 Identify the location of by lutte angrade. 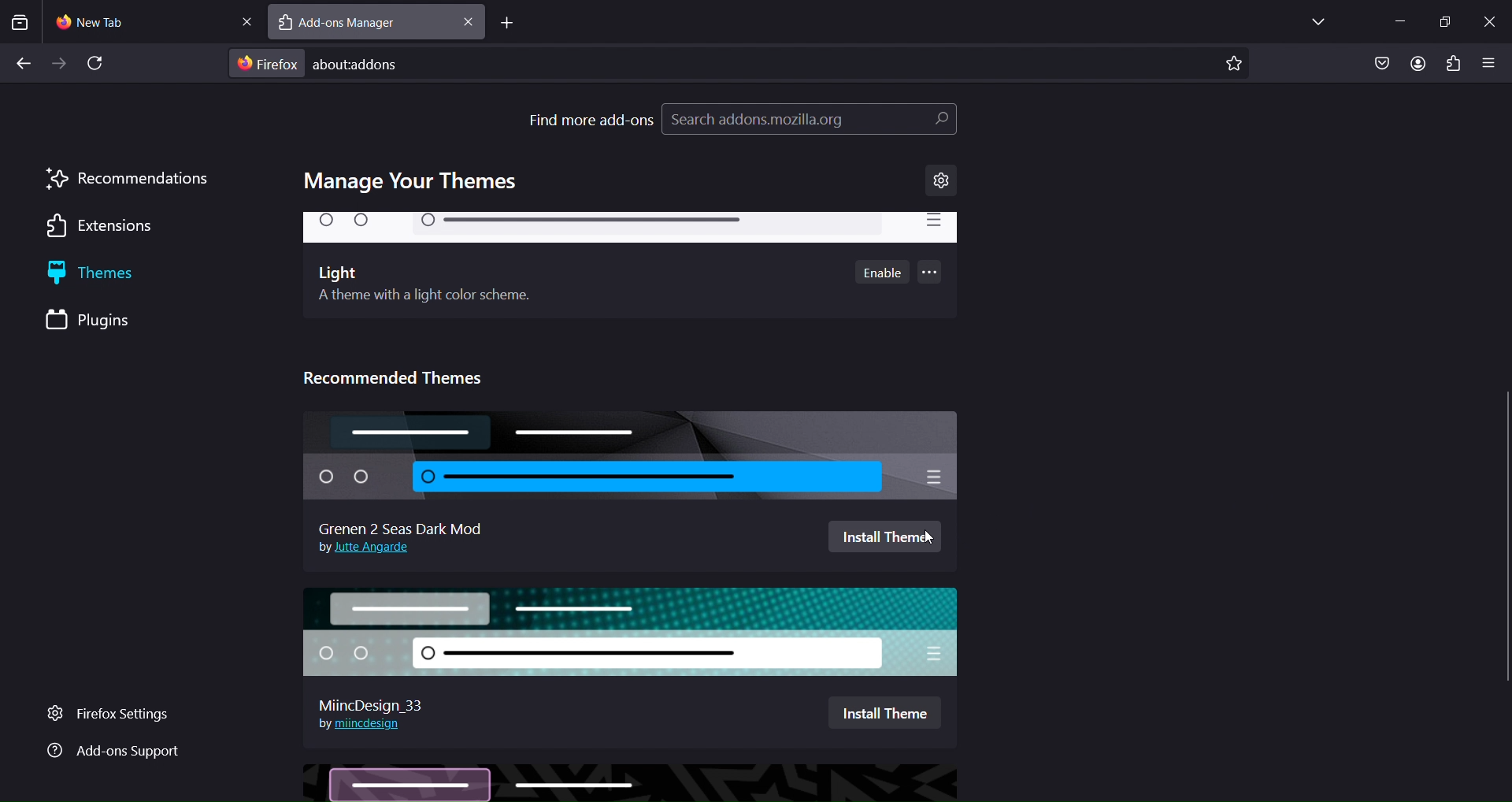
(369, 549).